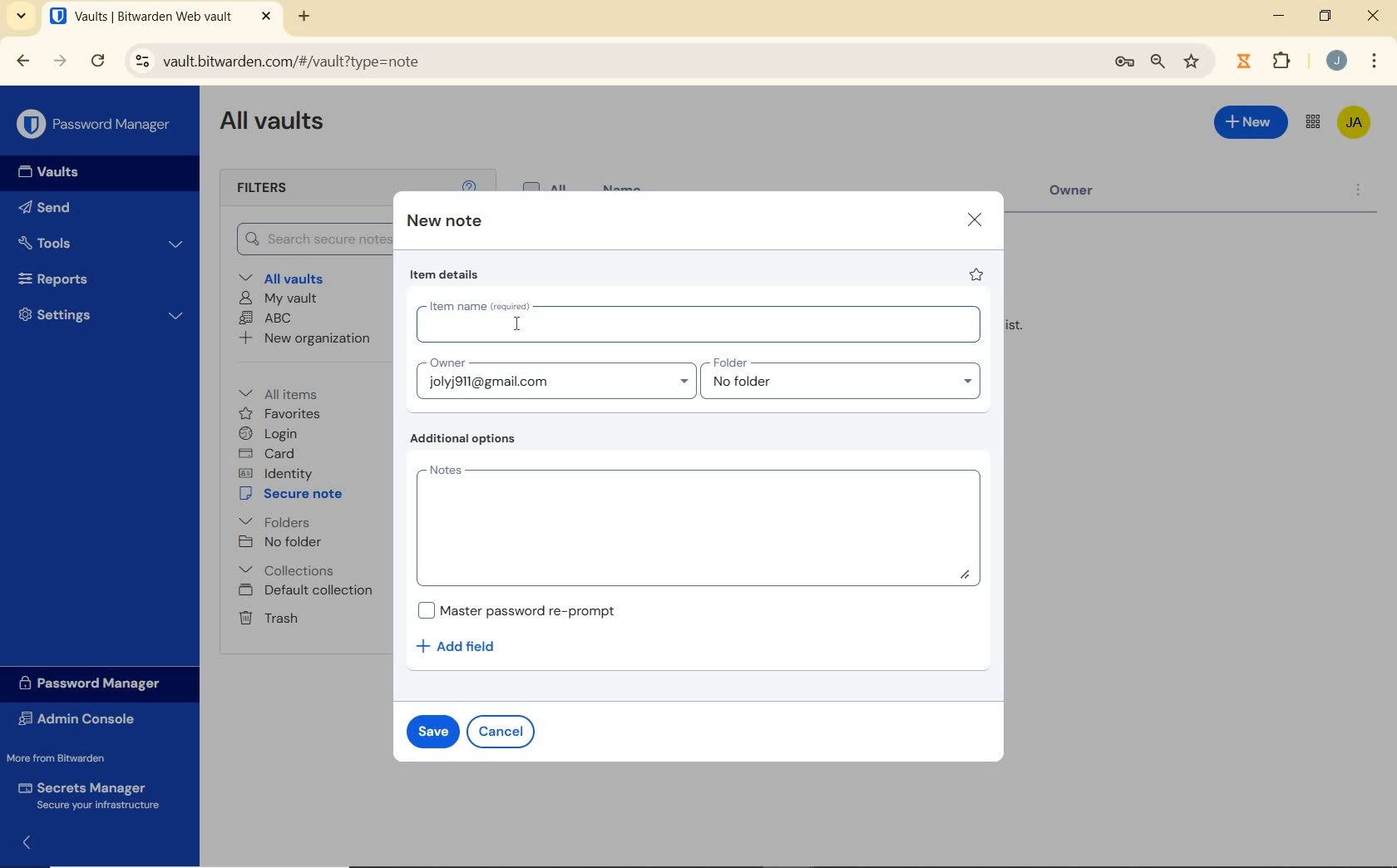 Image resolution: width=1397 pixels, height=868 pixels. What do you see at coordinates (520, 321) in the screenshot?
I see `Mouse Cursor` at bounding box center [520, 321].